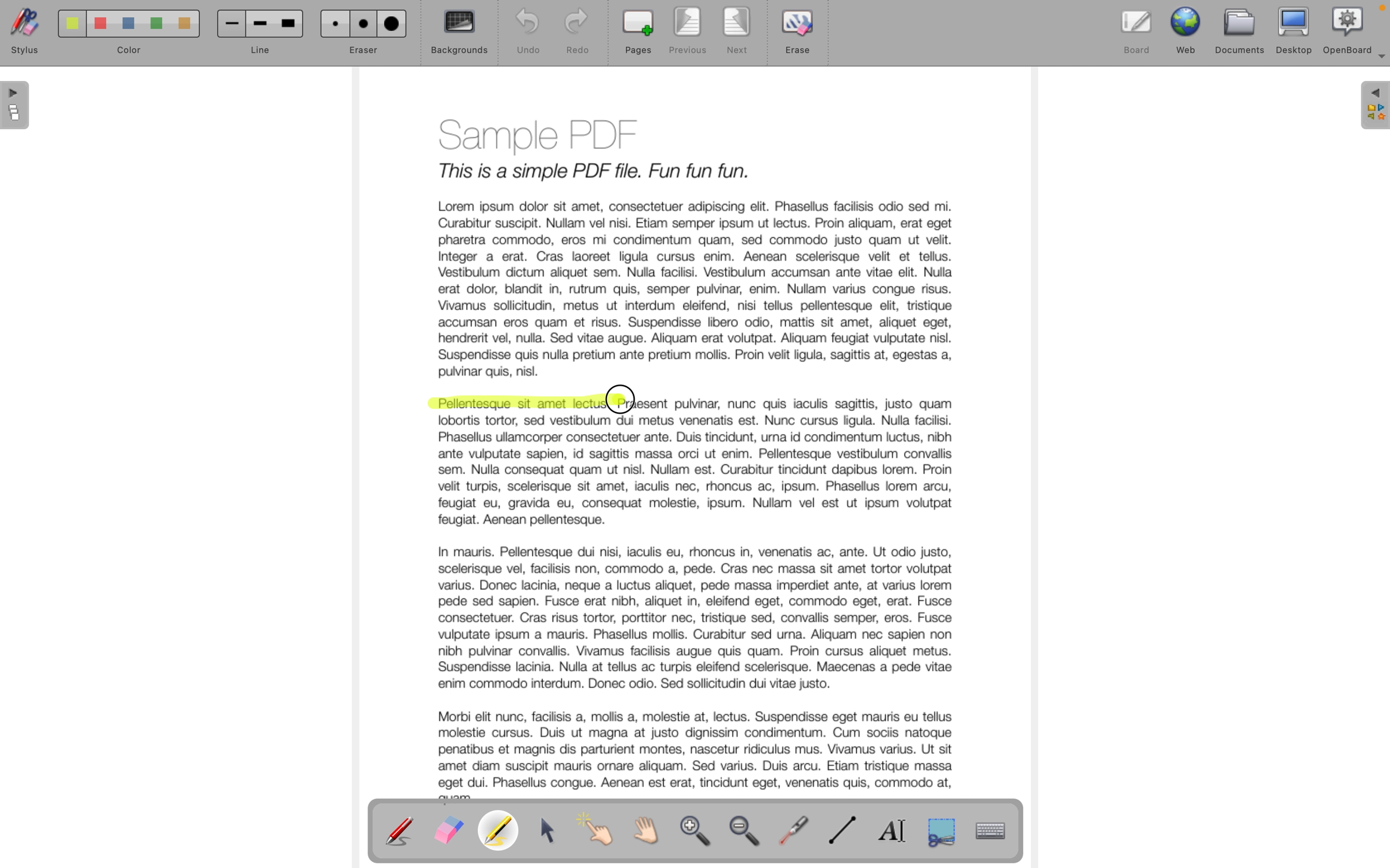 This screenshot has width=1390, height=868. I want to click on backgrounds, so click(460, 33).